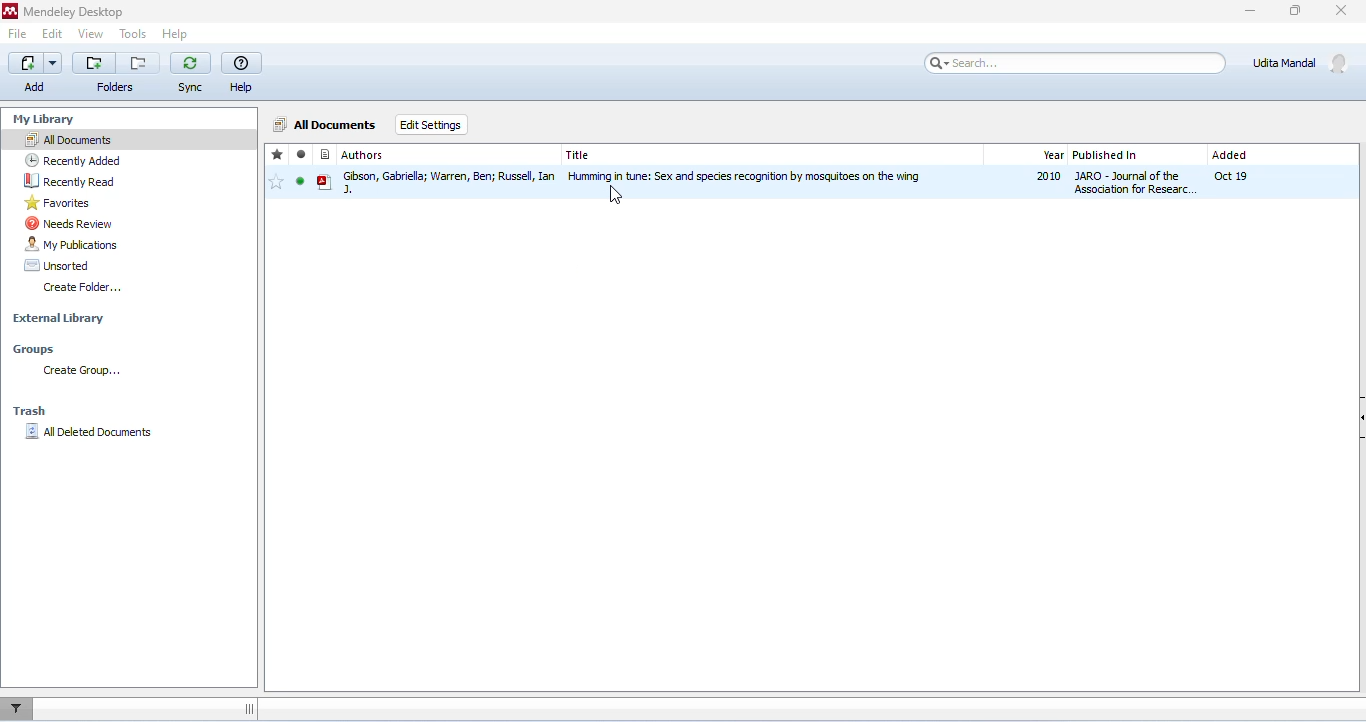 This screenshot has height=722, width=1366. What do you see at coordinates (69, 223) in the screenshot?
I see `needs review` at bounding box center [69, 223].